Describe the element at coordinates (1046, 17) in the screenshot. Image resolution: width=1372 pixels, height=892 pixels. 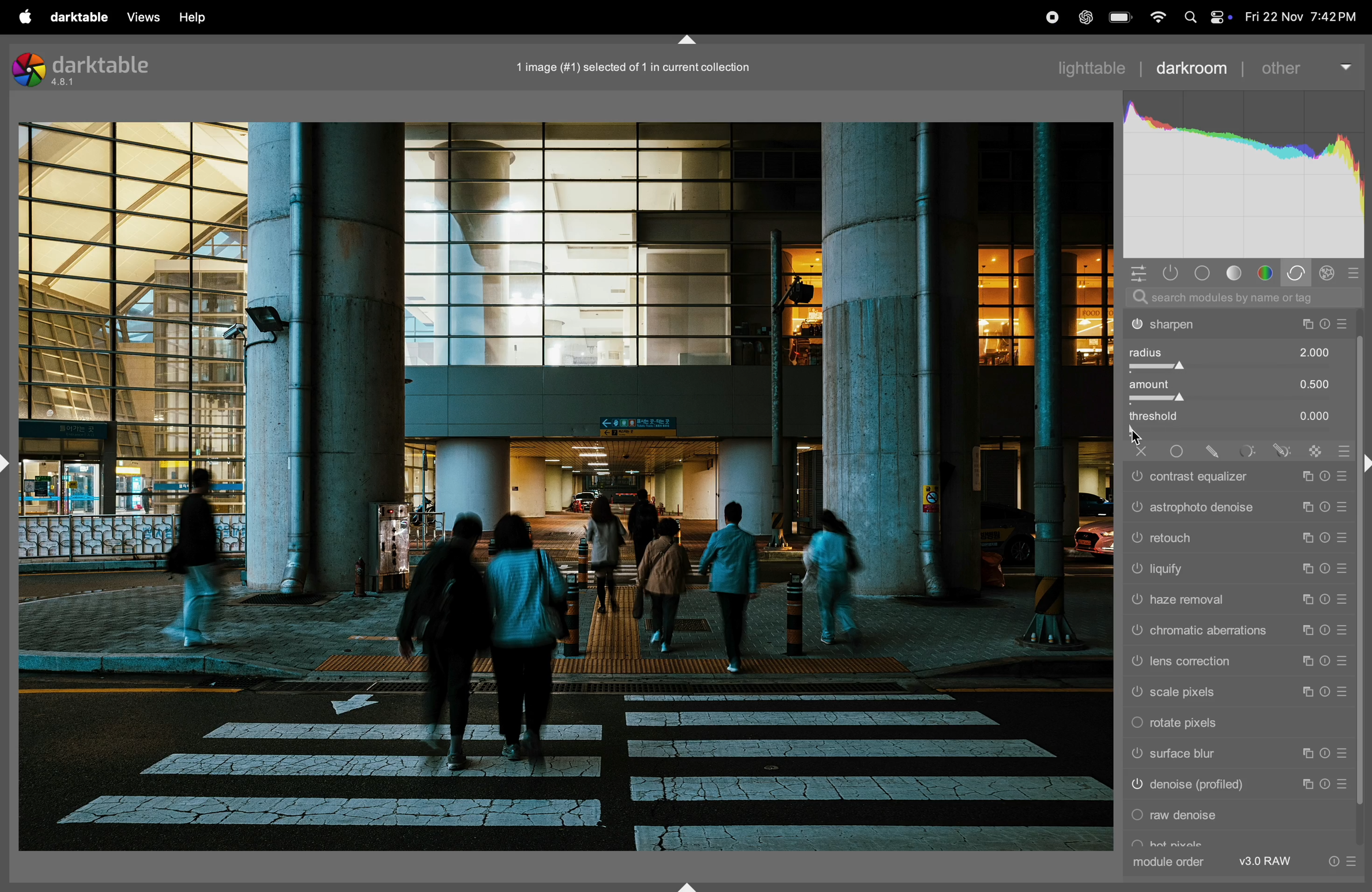
I see `record` at that location.